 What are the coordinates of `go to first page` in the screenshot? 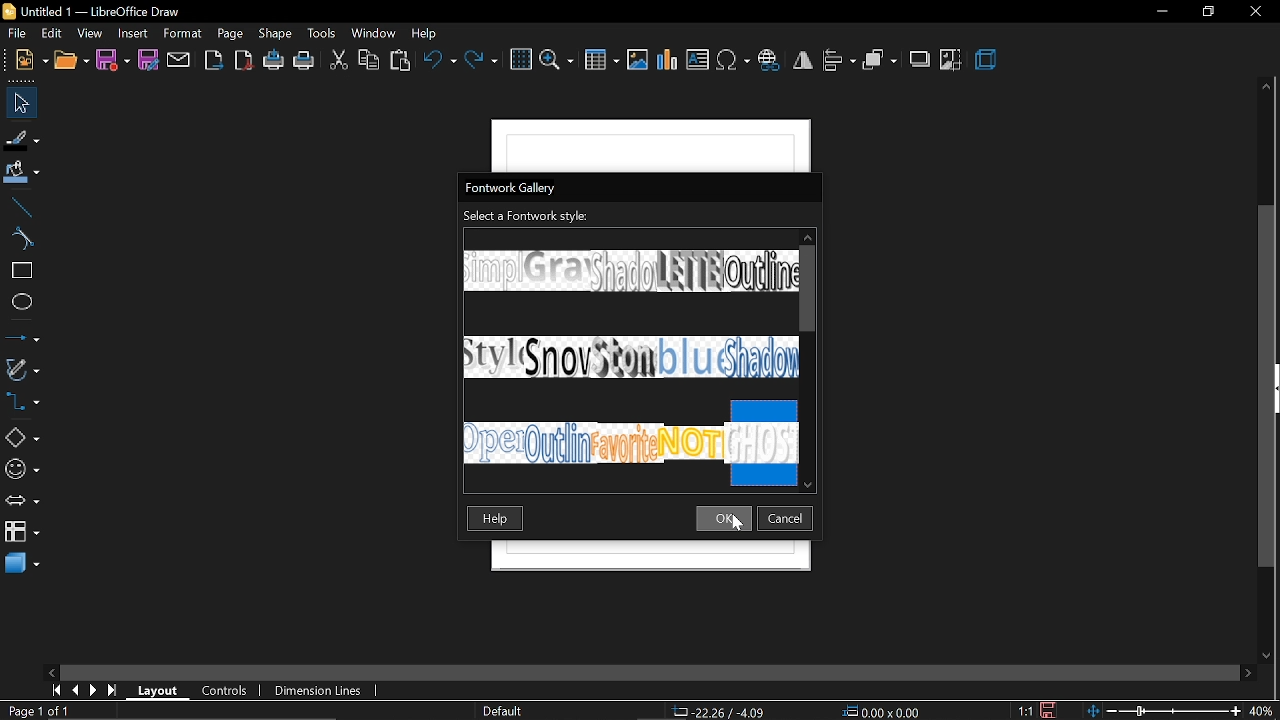 It's located at (53, 690).